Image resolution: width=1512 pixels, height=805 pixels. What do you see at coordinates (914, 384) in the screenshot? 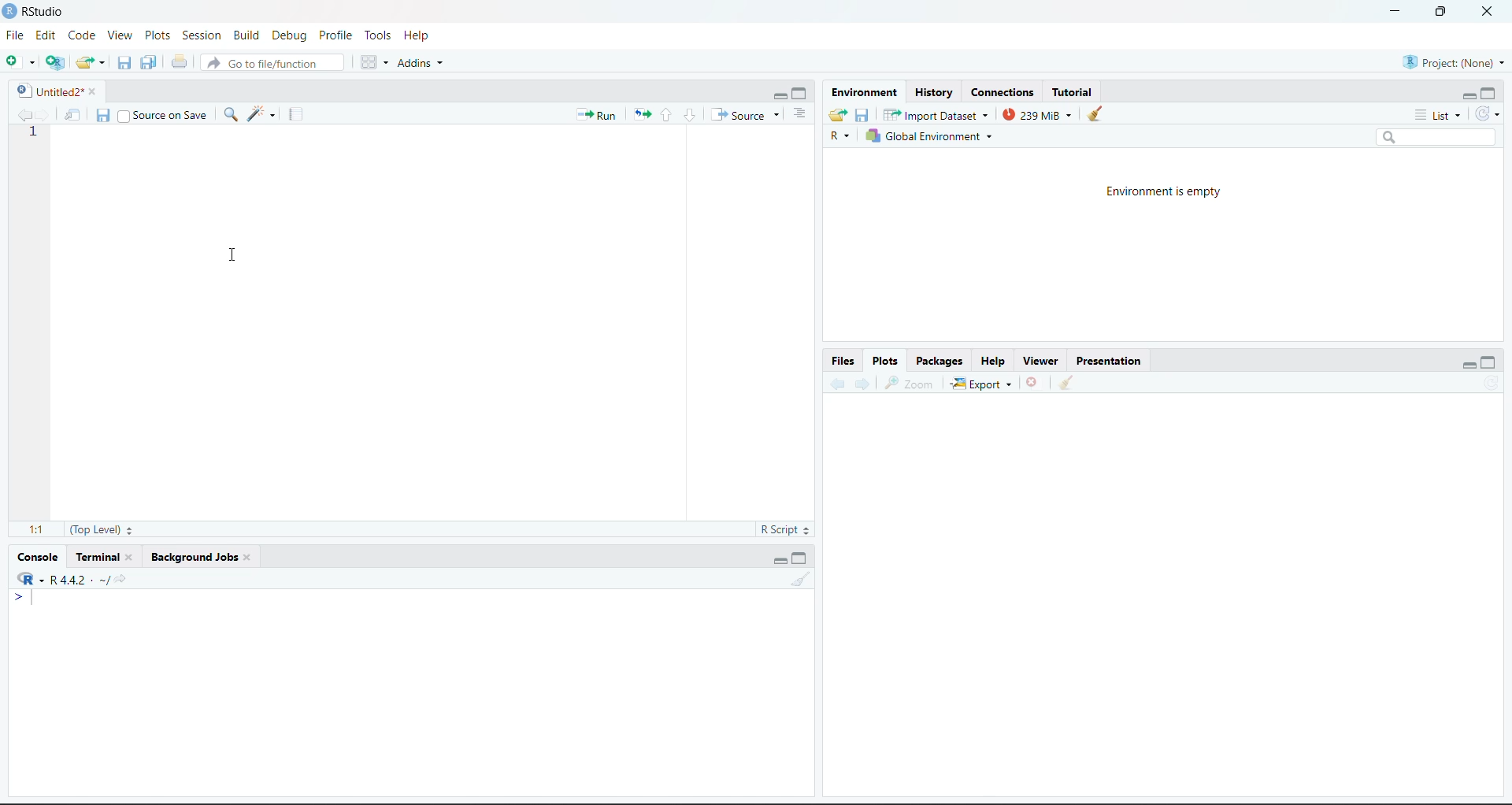
I see `Zoom` at bounding box center [914, 384].